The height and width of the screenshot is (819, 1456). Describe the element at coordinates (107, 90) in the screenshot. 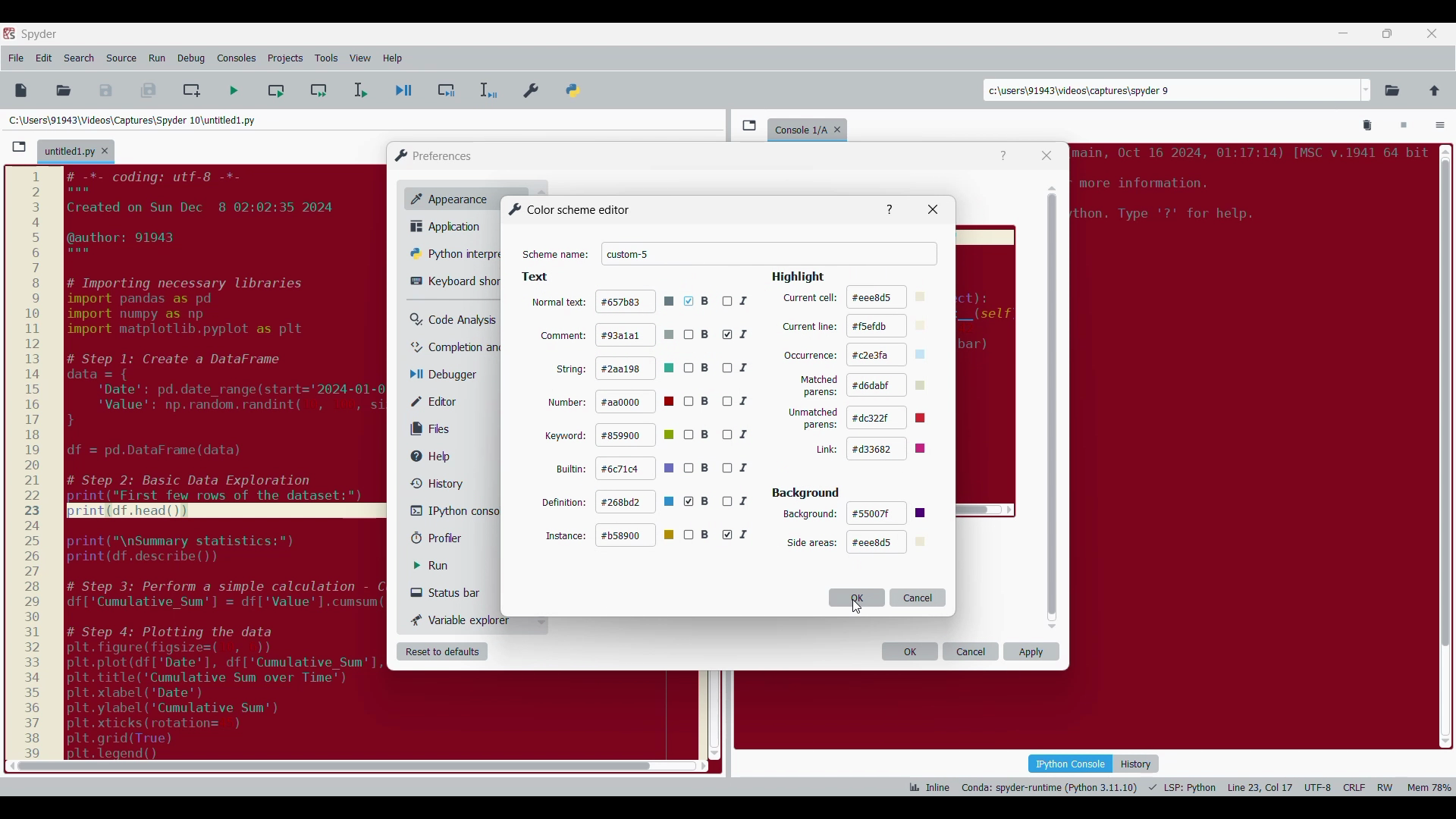

I see `Save file` at that location.